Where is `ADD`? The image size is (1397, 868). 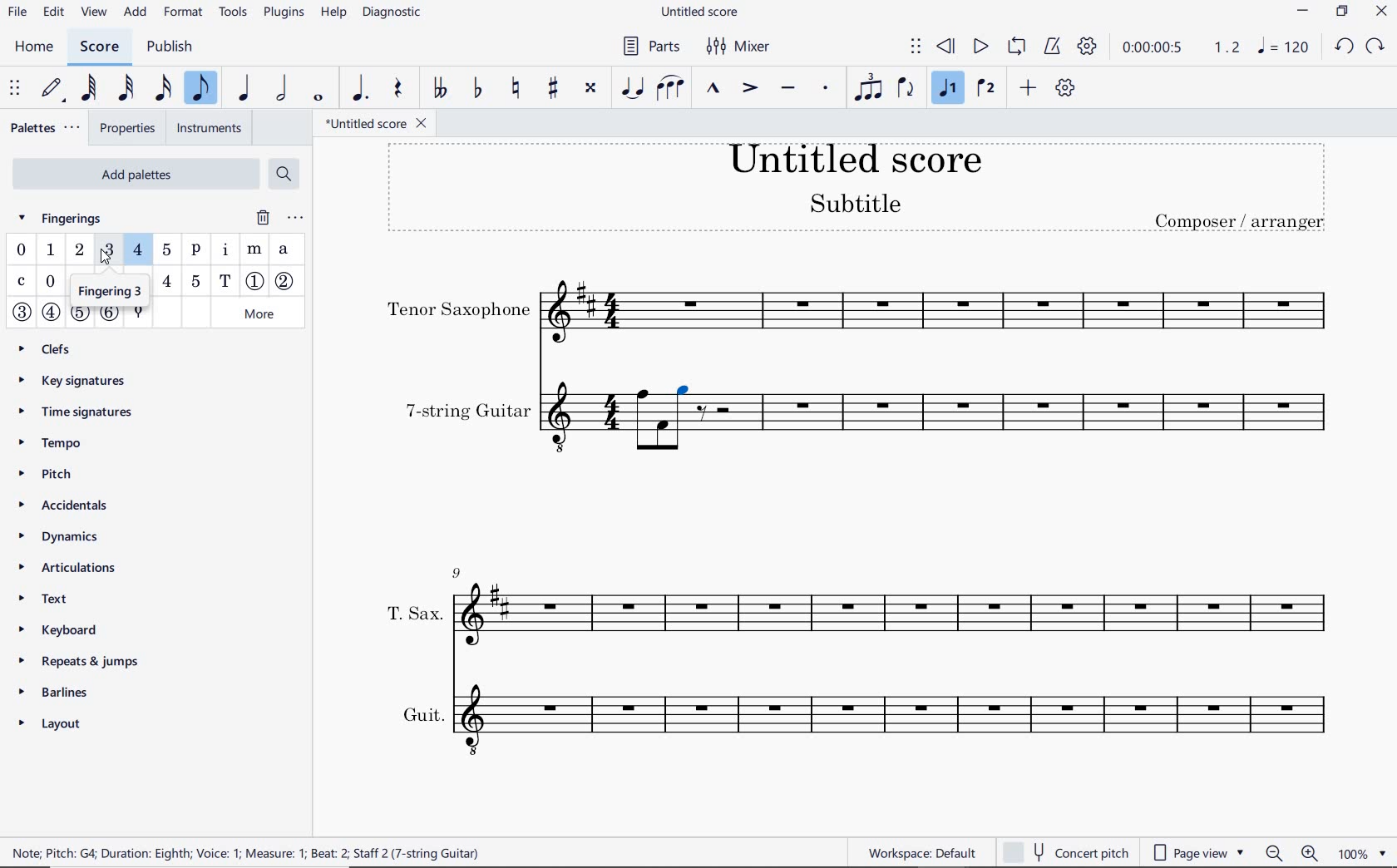 ADD is located at coordinates (1026, 89).